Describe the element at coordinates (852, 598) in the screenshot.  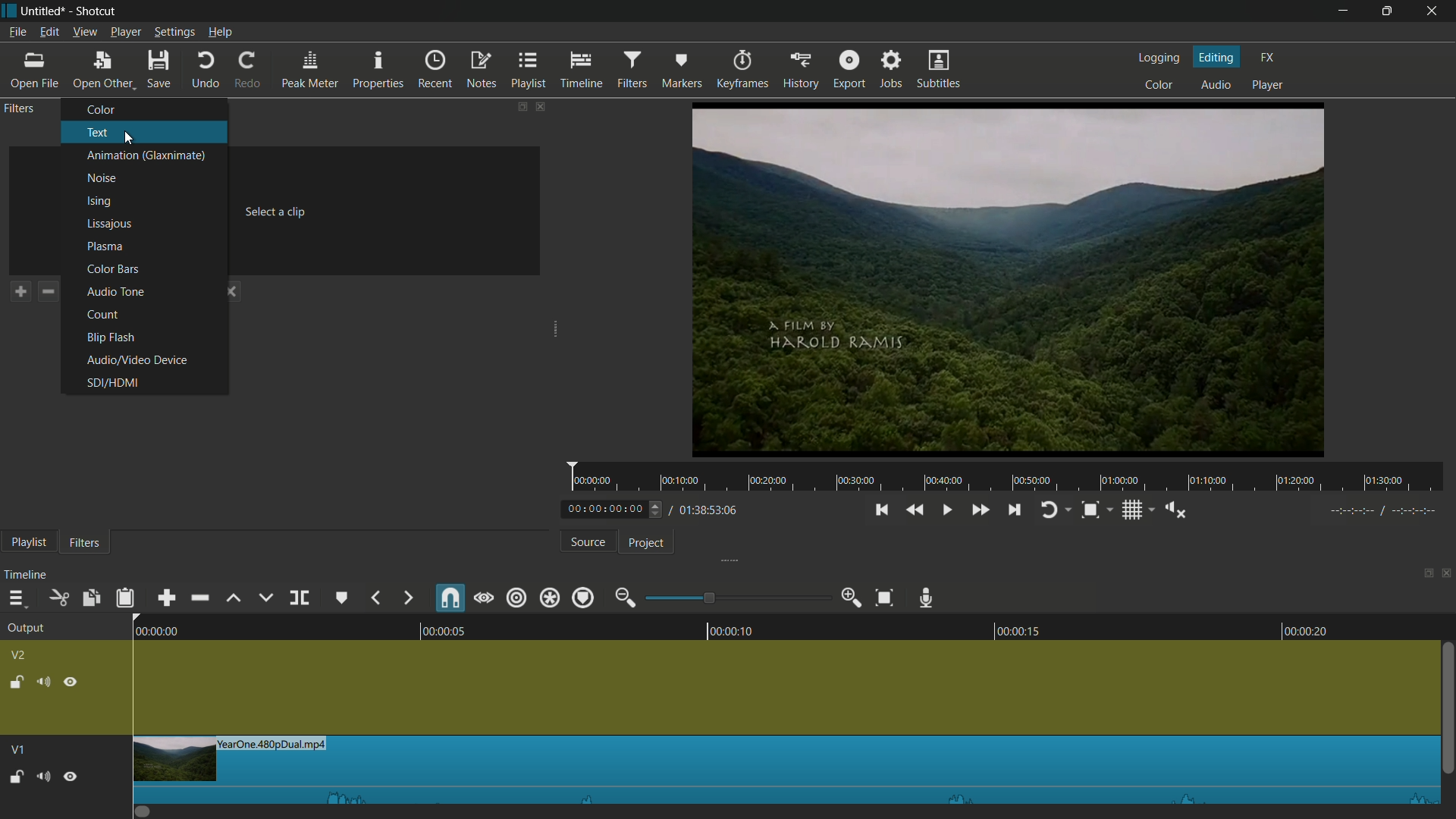
I see `zoom in` at that location.